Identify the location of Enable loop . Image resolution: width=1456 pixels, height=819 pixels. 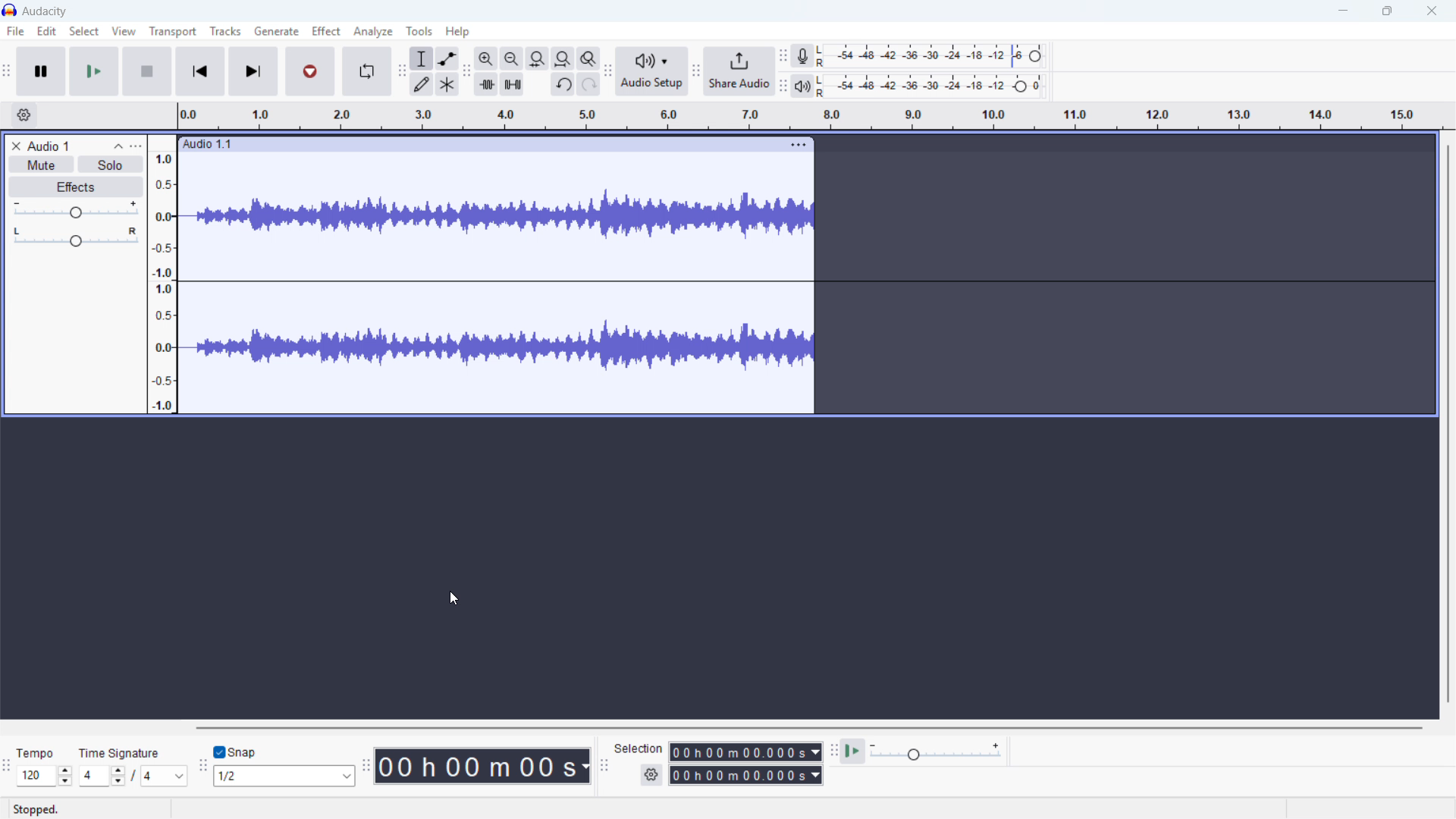
(368, 71).